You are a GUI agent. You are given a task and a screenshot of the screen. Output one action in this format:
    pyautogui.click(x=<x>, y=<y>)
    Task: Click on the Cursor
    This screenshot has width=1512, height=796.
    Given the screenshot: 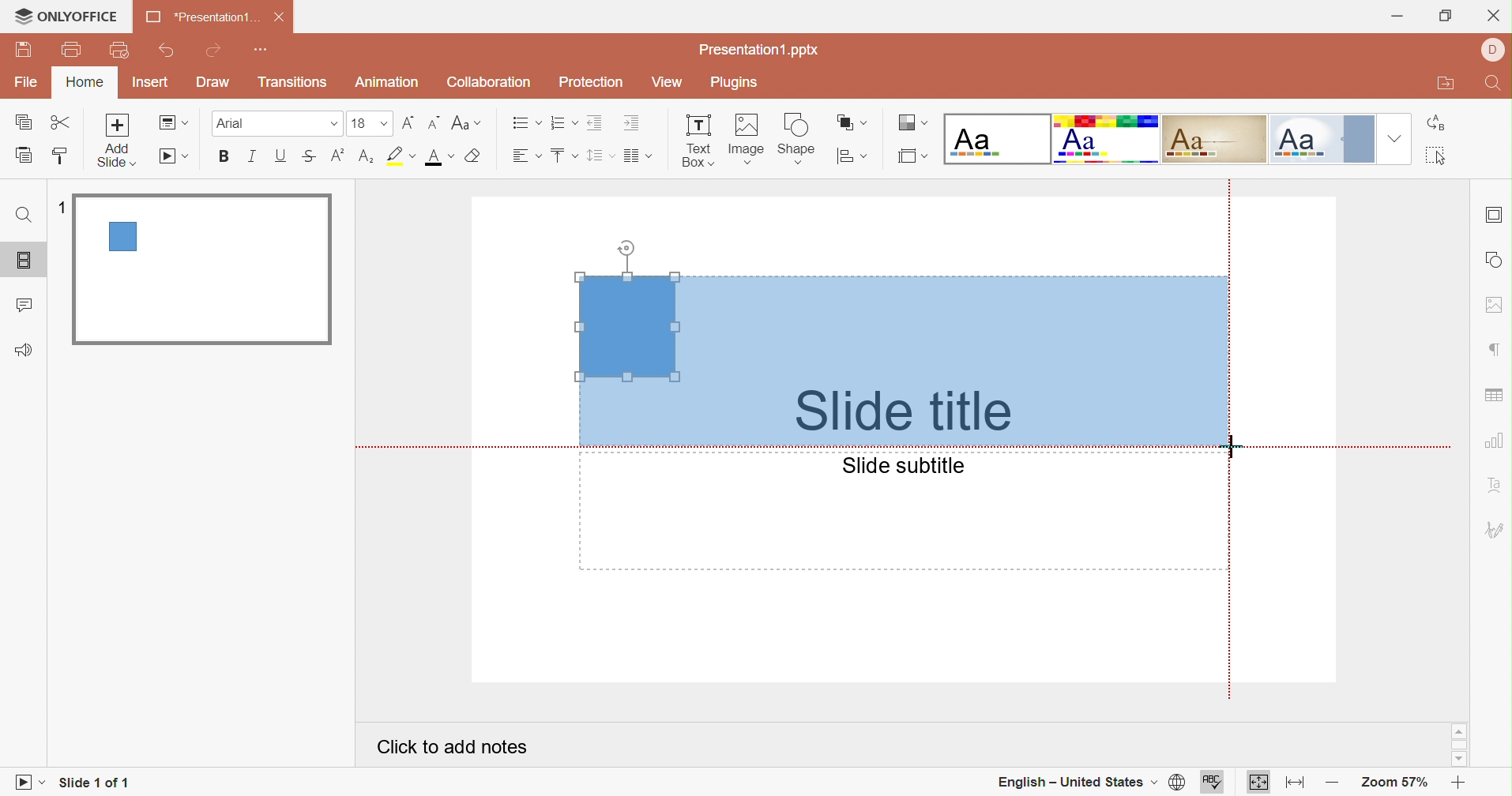 What is the action you would take?
    pyautogui.click(x=1231, y=443)
    